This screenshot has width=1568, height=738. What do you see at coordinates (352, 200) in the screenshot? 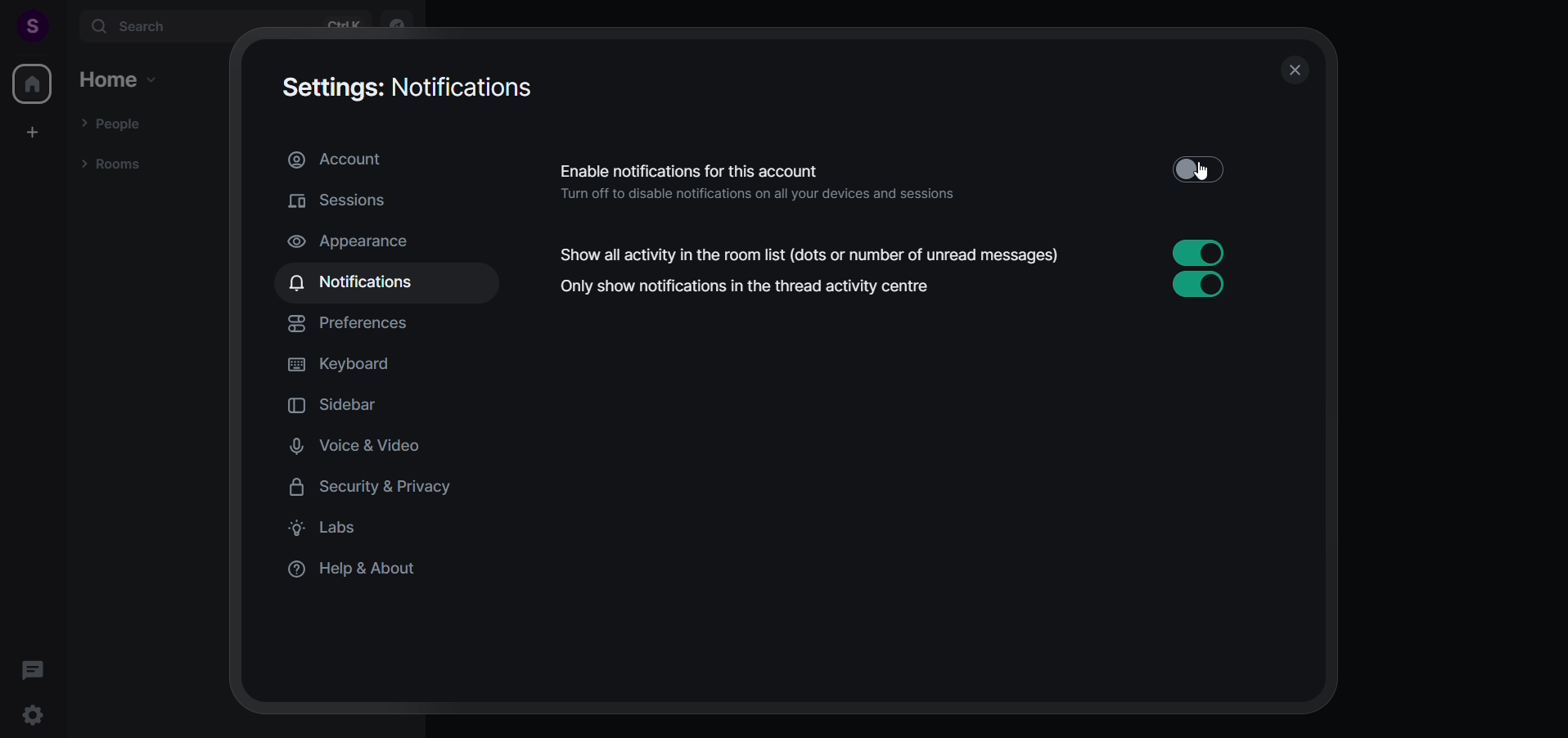
I see `sessions` at bounding box center [352, 200].